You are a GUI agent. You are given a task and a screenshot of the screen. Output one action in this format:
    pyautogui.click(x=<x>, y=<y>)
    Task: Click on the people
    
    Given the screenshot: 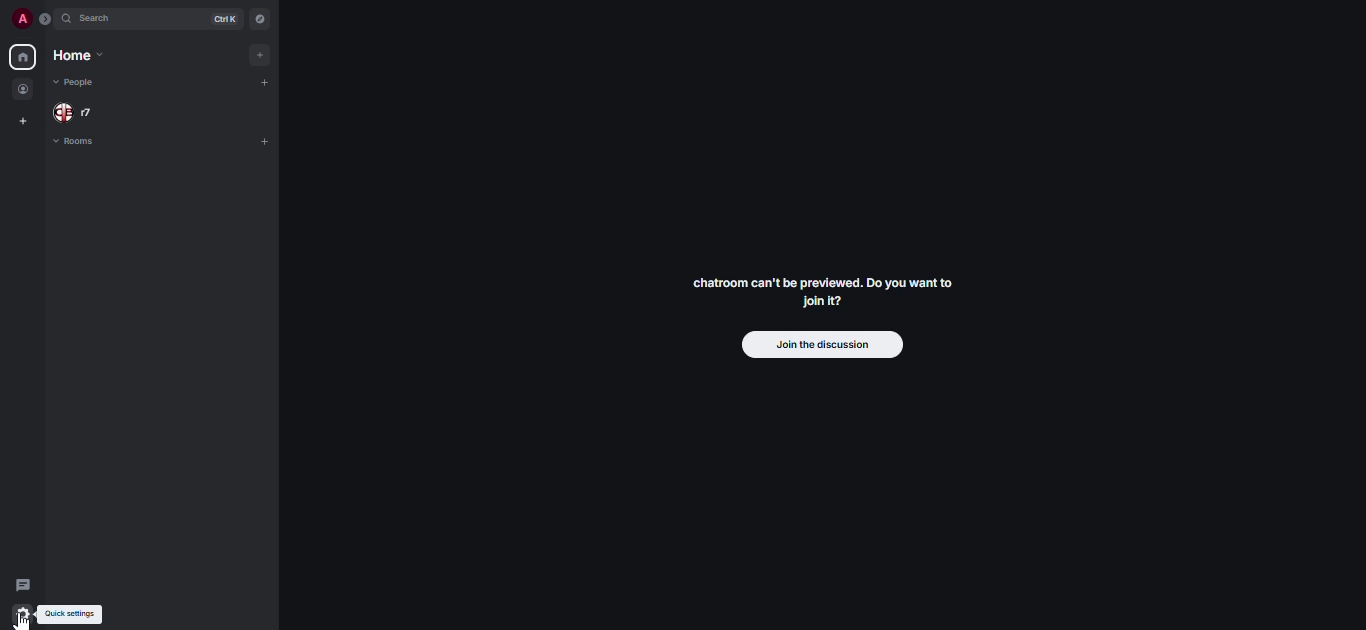 What is the action you would take?
    pyautogui.click(x=80, y=112)
    